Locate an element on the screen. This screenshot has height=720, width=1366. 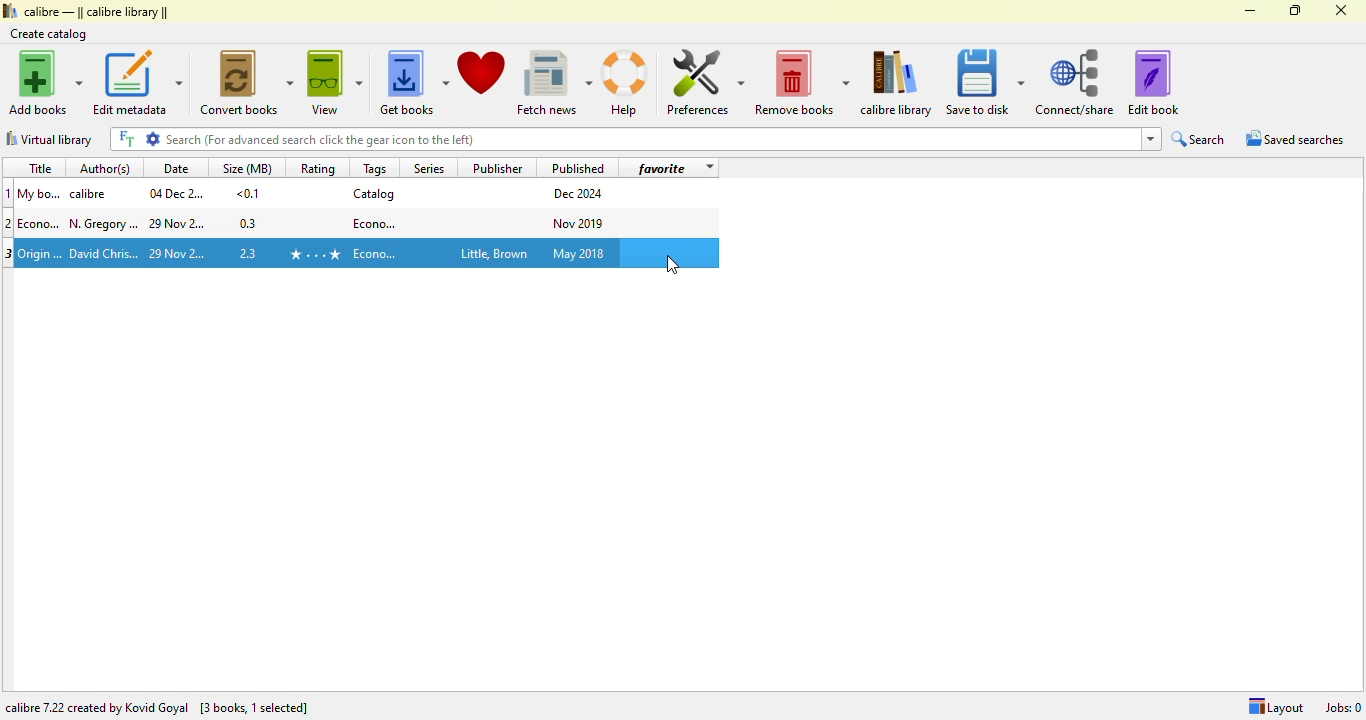
rating is located at coordinates (314, 254).